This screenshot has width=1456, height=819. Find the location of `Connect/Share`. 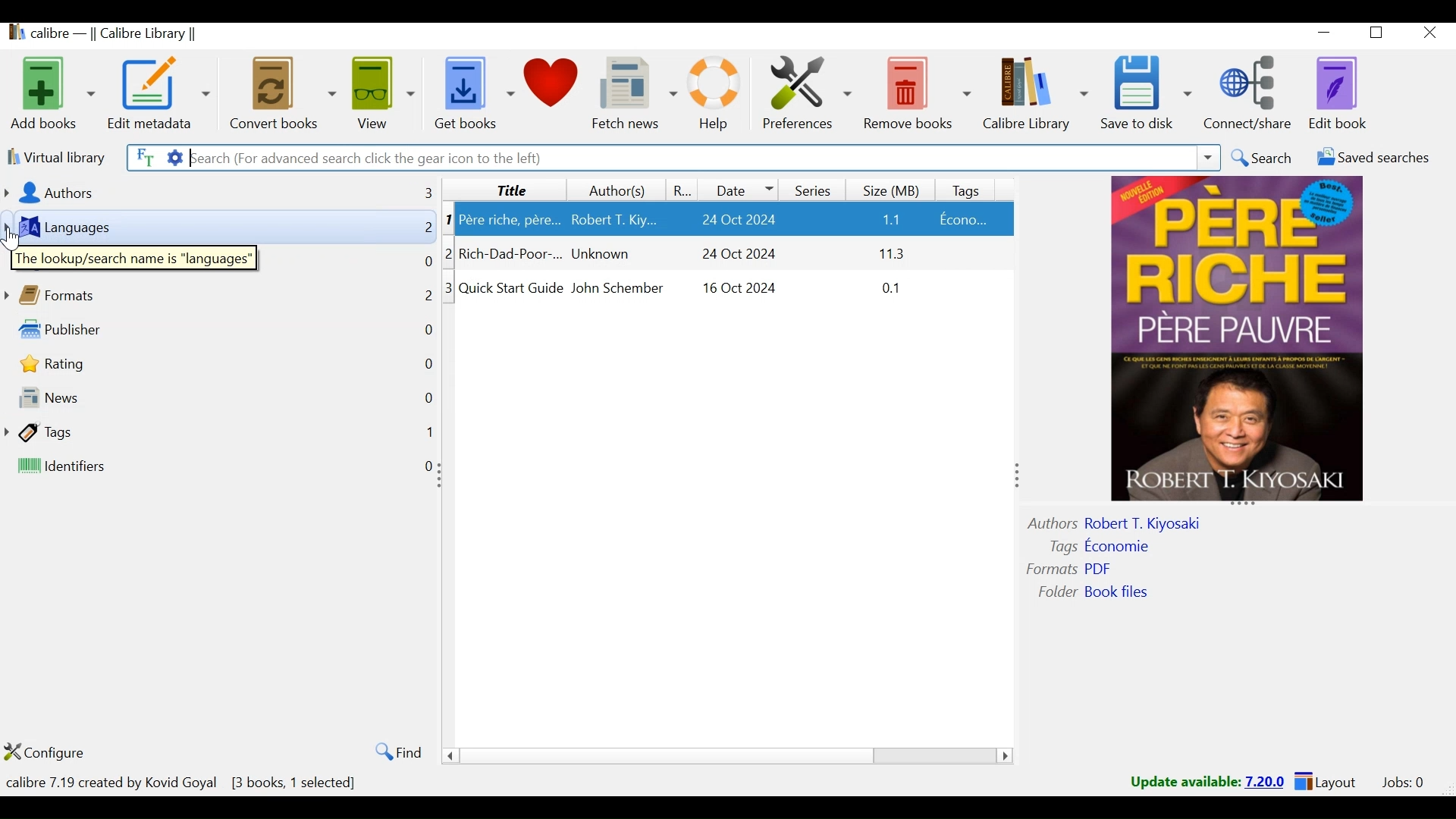

Connect/Share is located at coordinates (1252, 92).